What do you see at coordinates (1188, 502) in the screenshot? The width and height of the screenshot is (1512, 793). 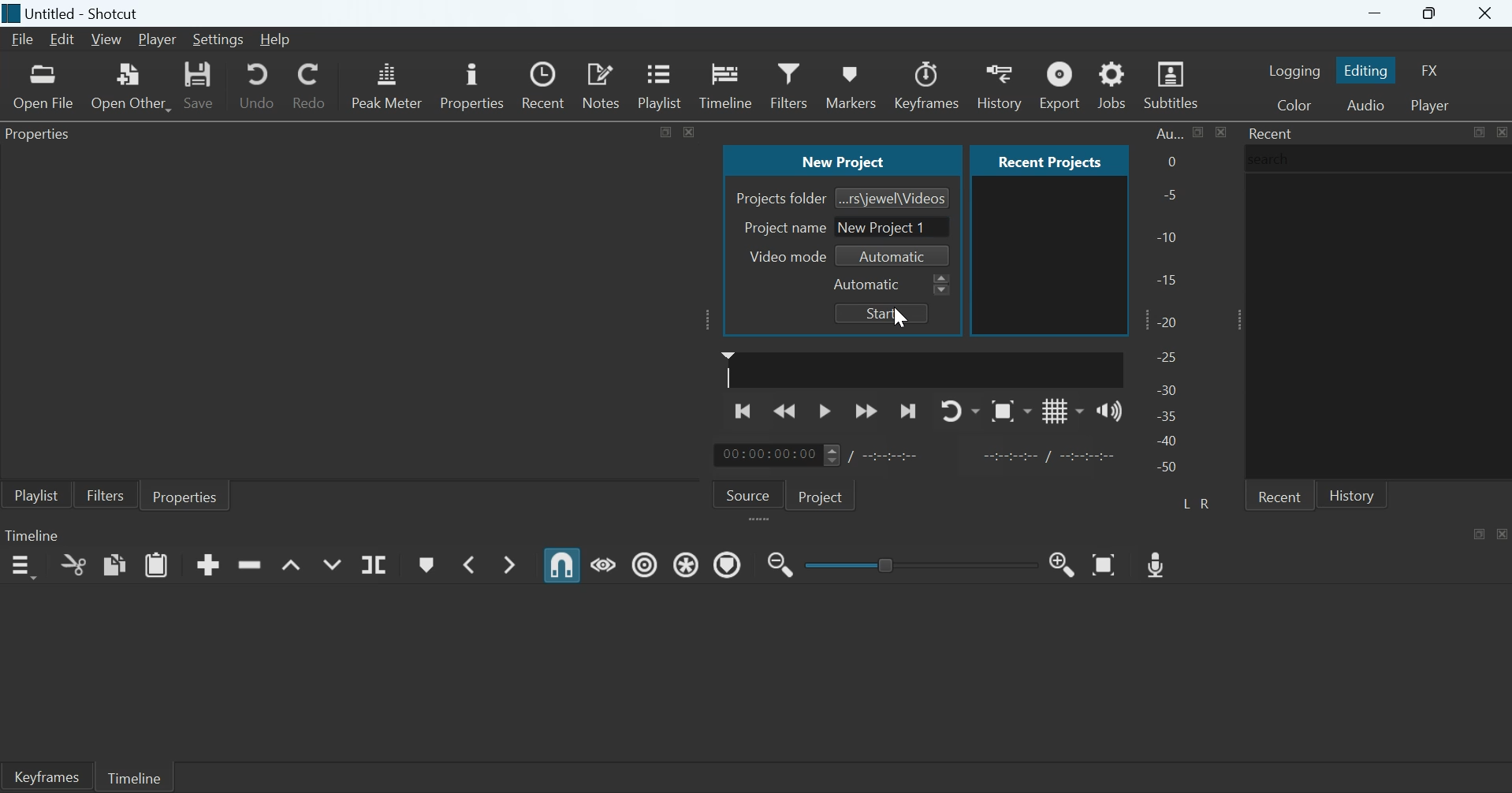 I see `Left` at bounding box center [1188, 502].